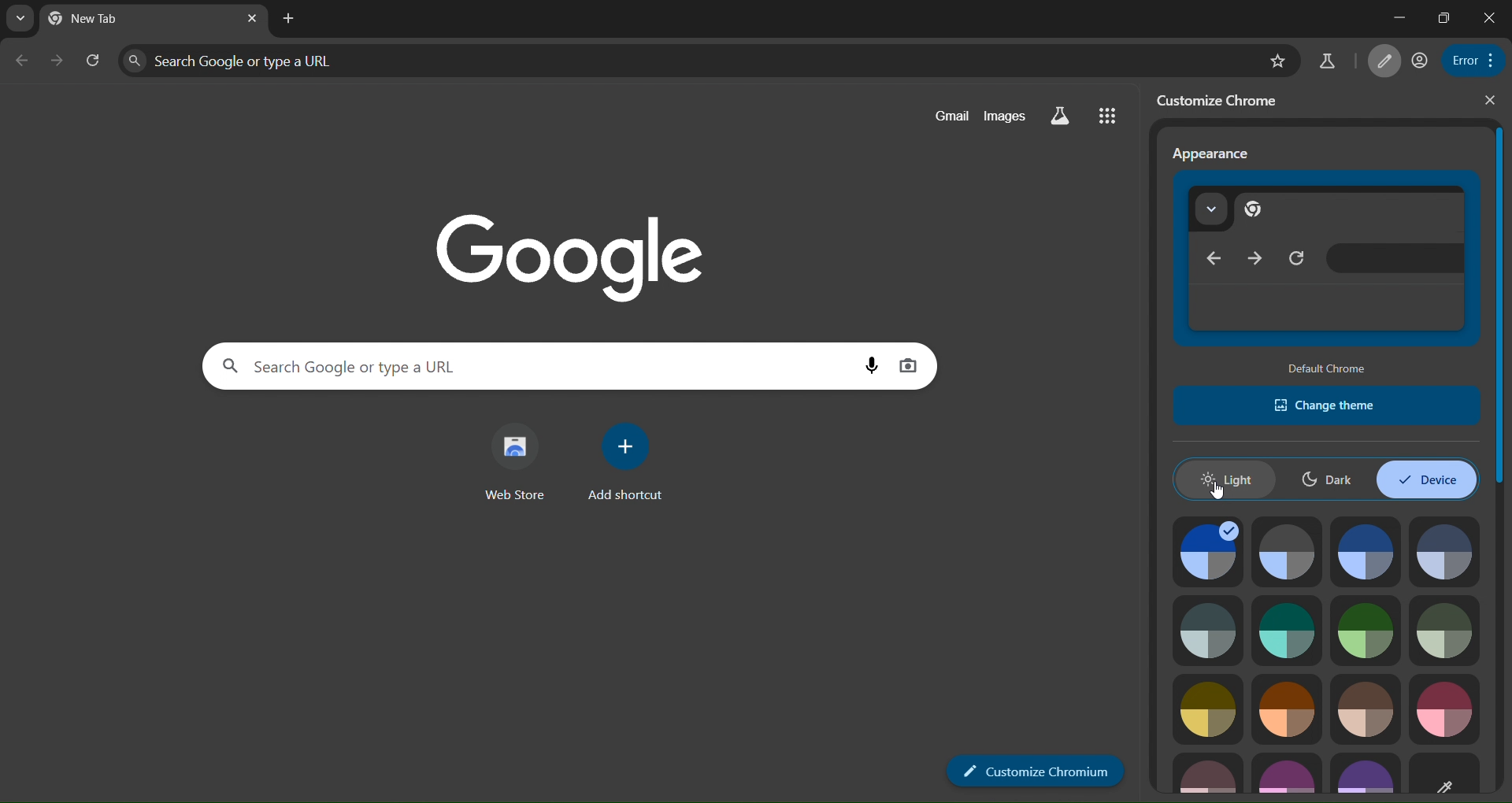  What do you see at coordinates (518, 461) in the screenshot?
I see `web store` at bounding box center [518, 461].